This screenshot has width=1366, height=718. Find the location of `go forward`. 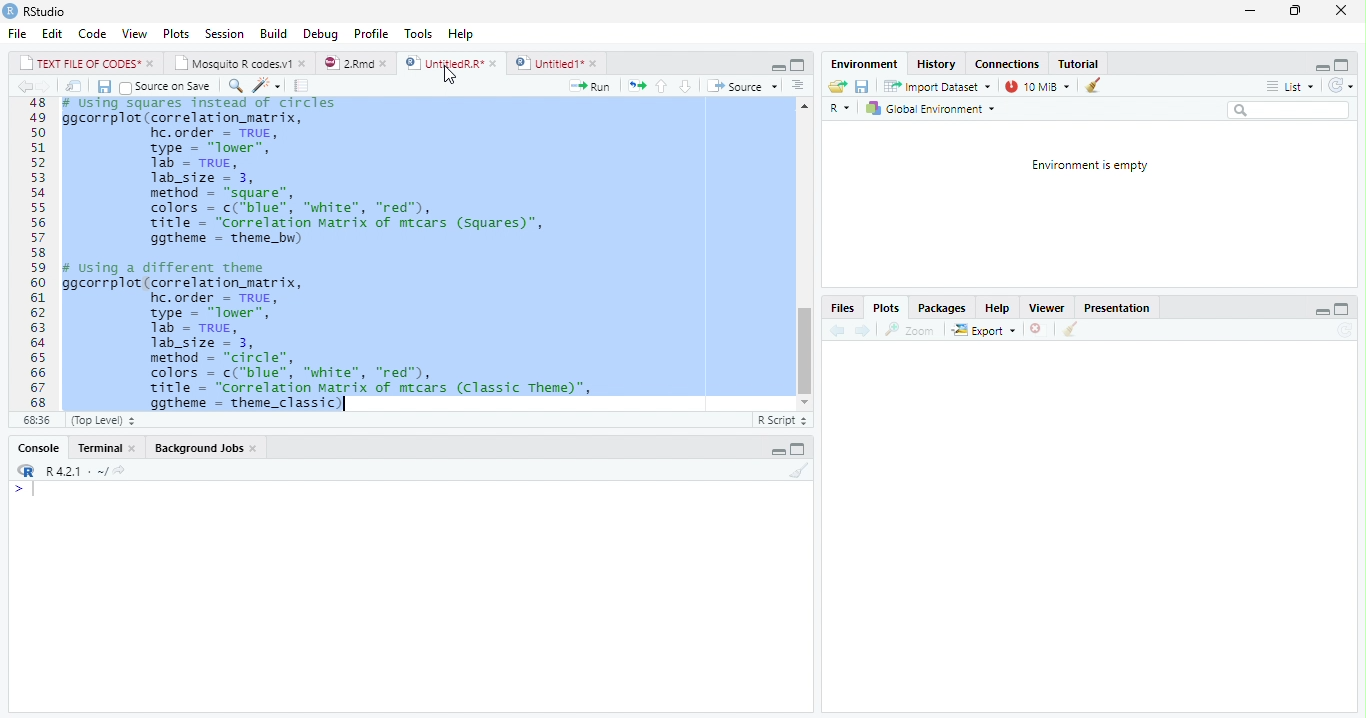

go forward is located at coordinates (863, 332).